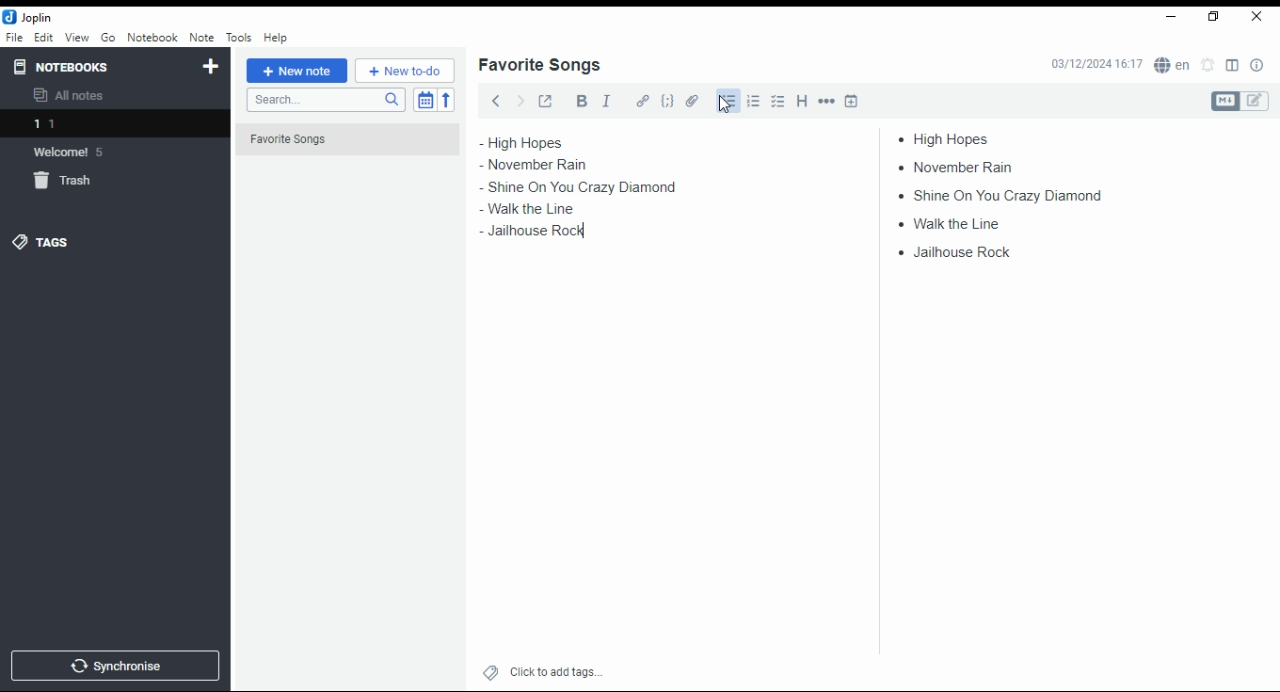 The width and height of the screenshot is (1280, 692). Describe the element at coordinates (325, 100) in the screenshot. I see `search` at that location.